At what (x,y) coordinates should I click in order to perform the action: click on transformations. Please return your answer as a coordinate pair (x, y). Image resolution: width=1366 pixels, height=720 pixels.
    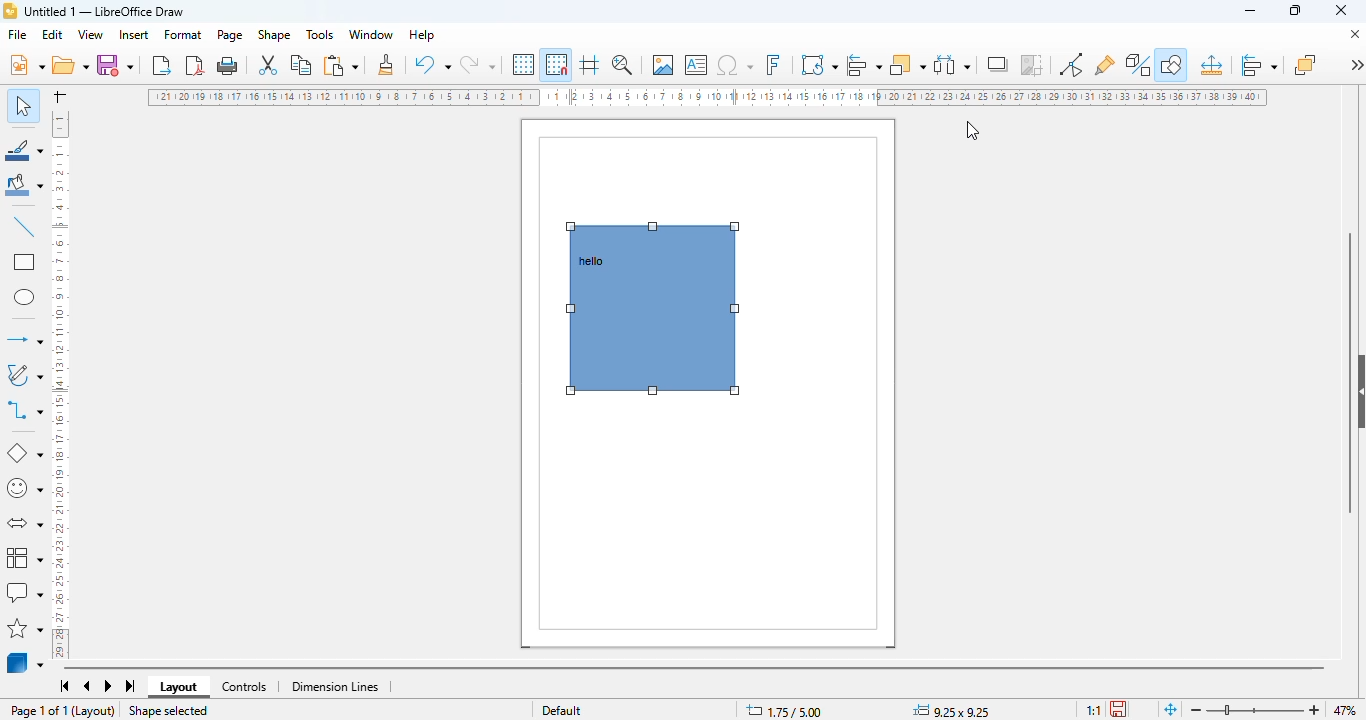
    Looking at the image, I should click on (820, 64).